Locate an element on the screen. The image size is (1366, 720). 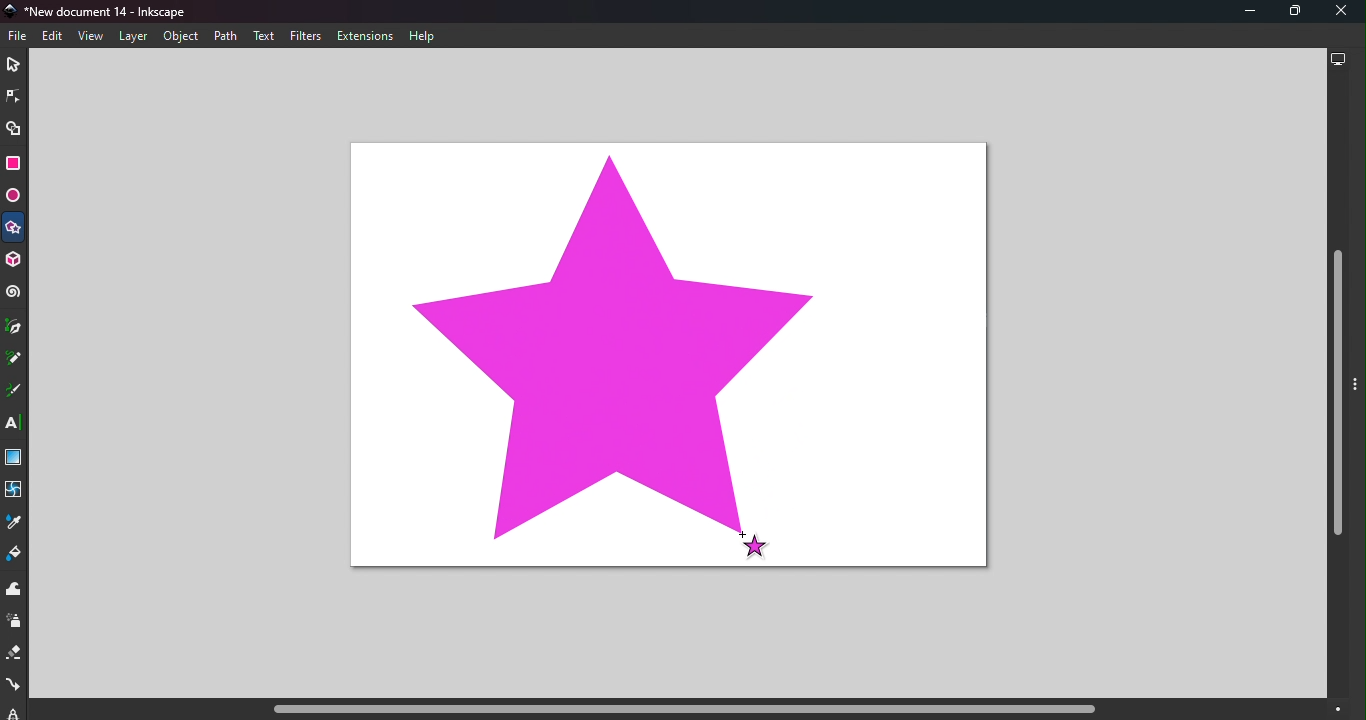
Edit is located at coordinates (52, 37).